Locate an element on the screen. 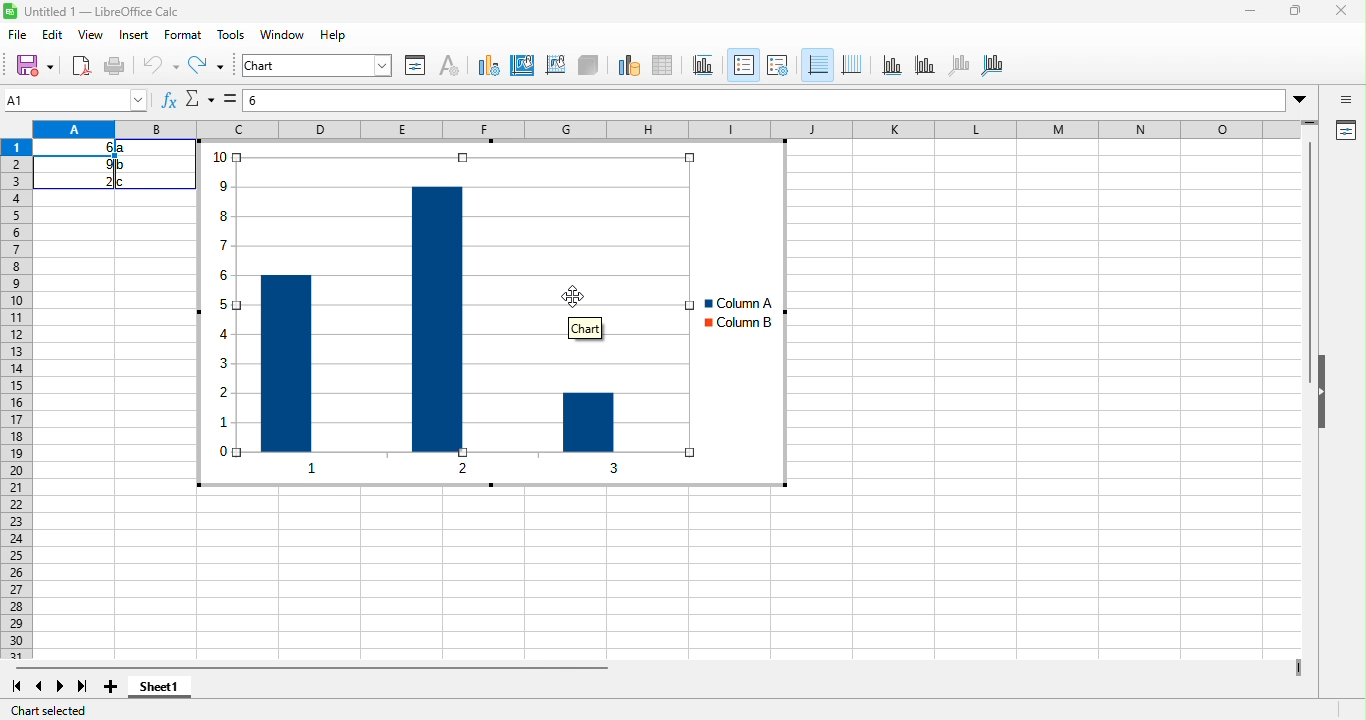 This screenshot has height=720, width=1366. titles is located at coordinates (700, 65).